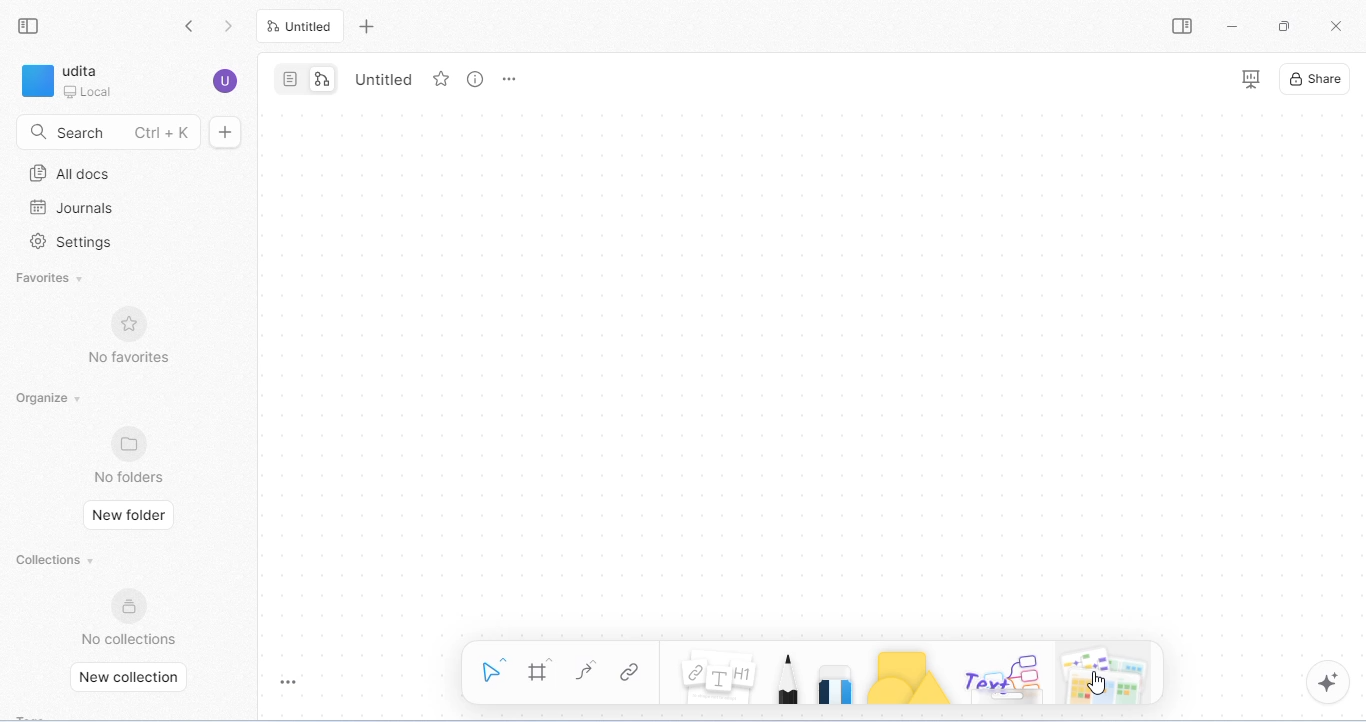  I want to click on rename and more, so click(509, 79).